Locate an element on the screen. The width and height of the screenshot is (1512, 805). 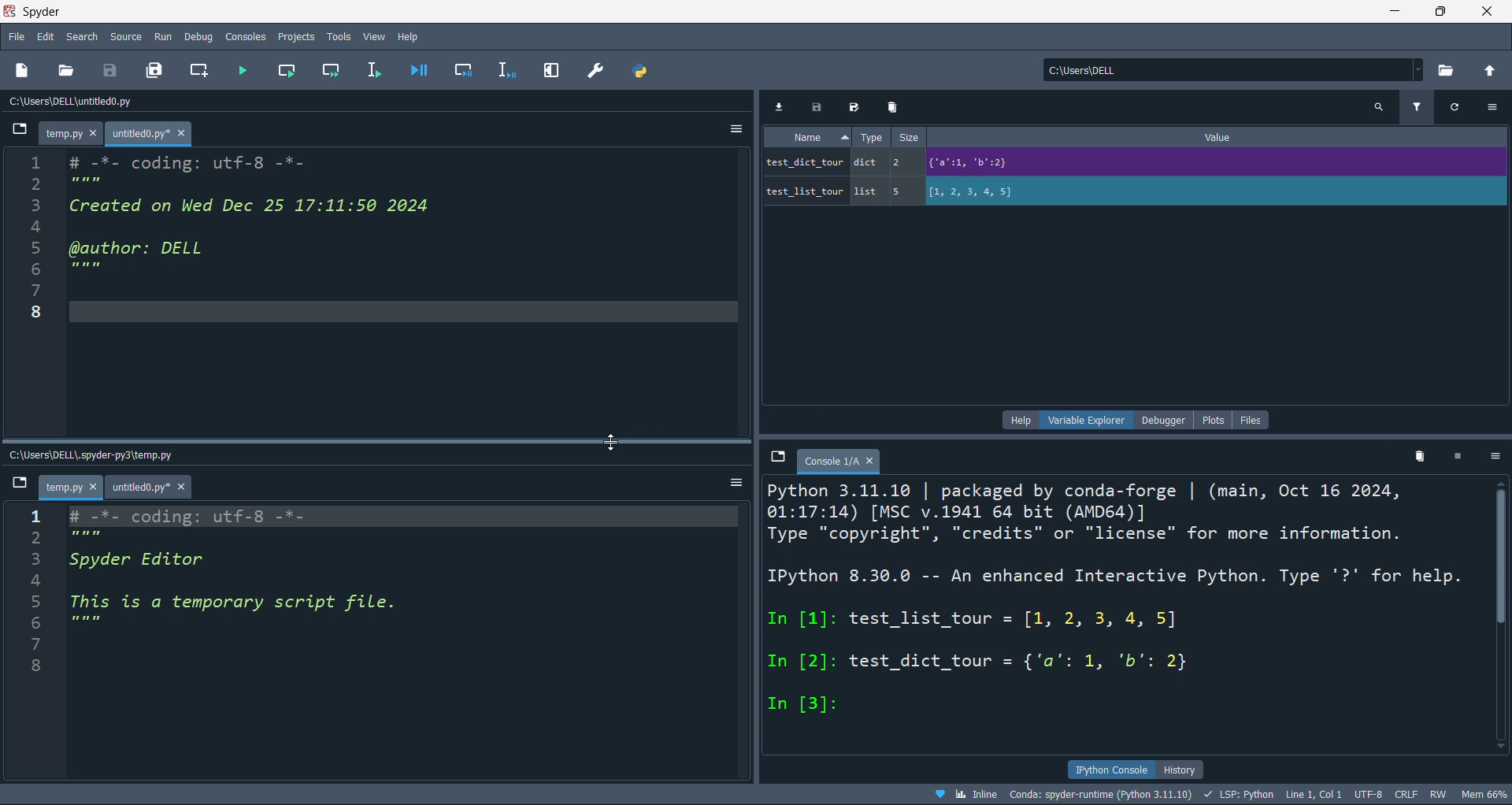
files is located at coordinates (1254, 417).